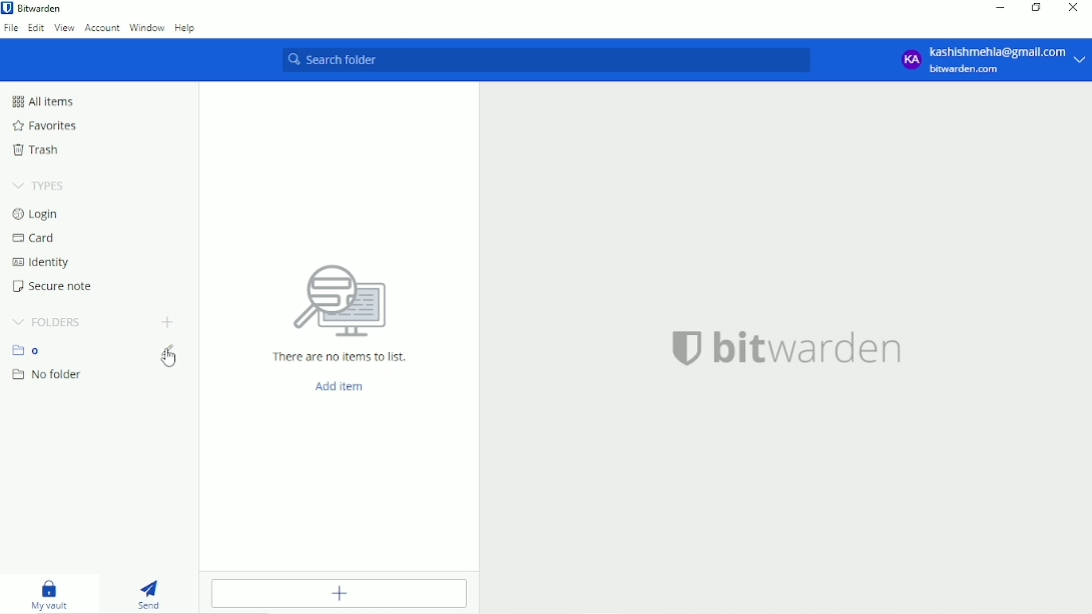 The height and width of the screenshot is (614, 1092). I want to click on Secure note, so click(55, 286).